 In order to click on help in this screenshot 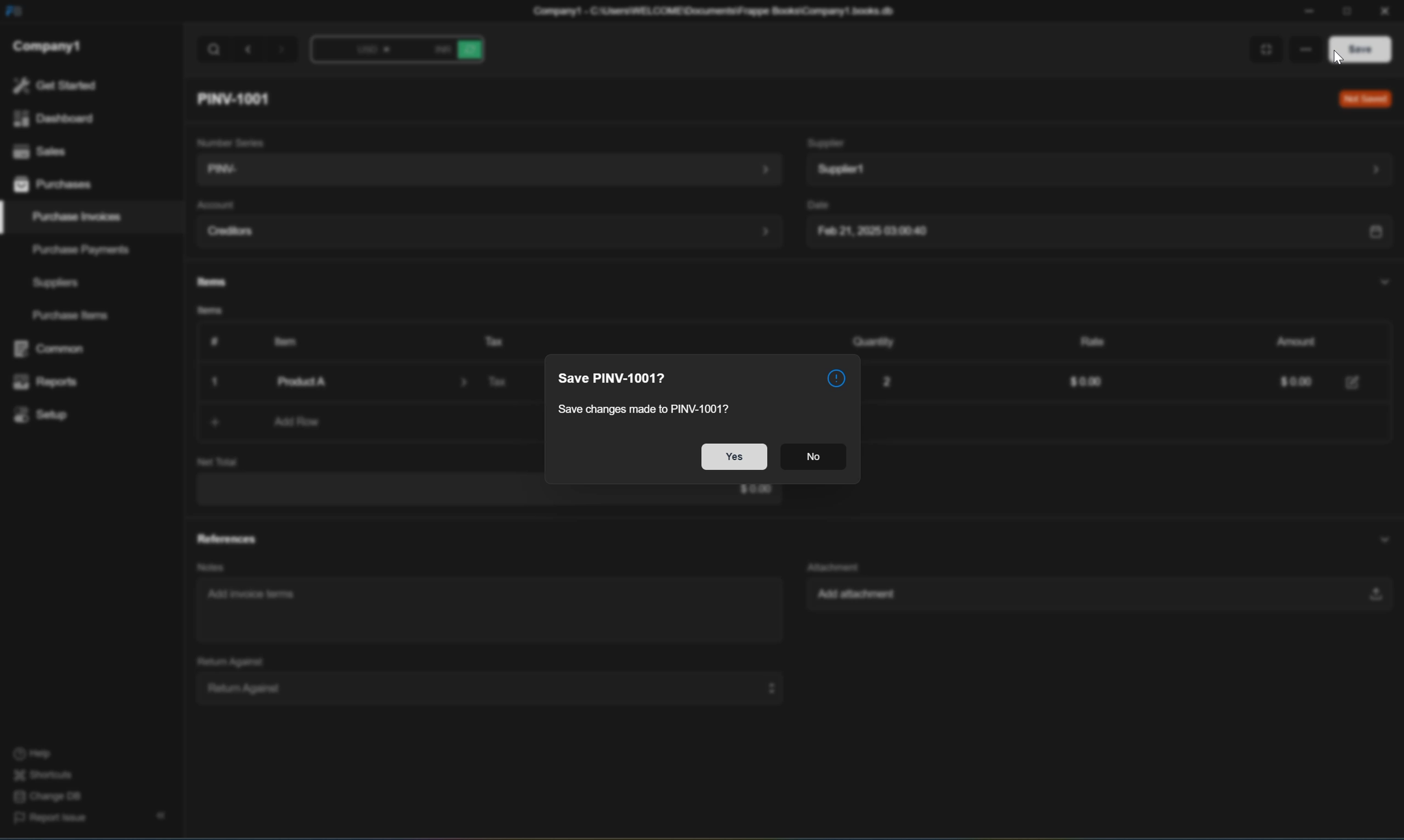, I will do `click(32, 755)`.